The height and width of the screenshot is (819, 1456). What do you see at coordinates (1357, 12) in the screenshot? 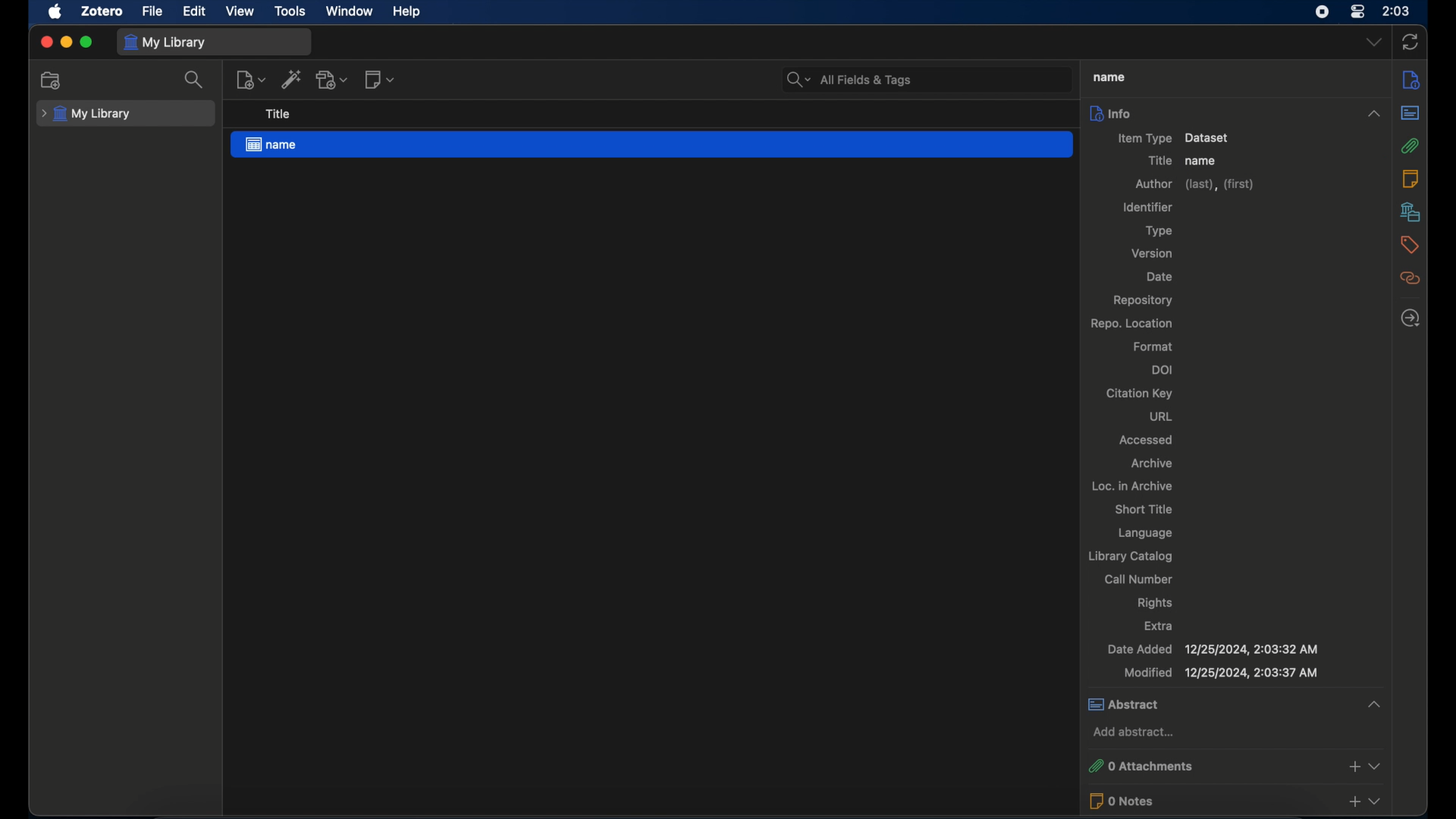
I see `control center` at bounding box center [1357, 12].